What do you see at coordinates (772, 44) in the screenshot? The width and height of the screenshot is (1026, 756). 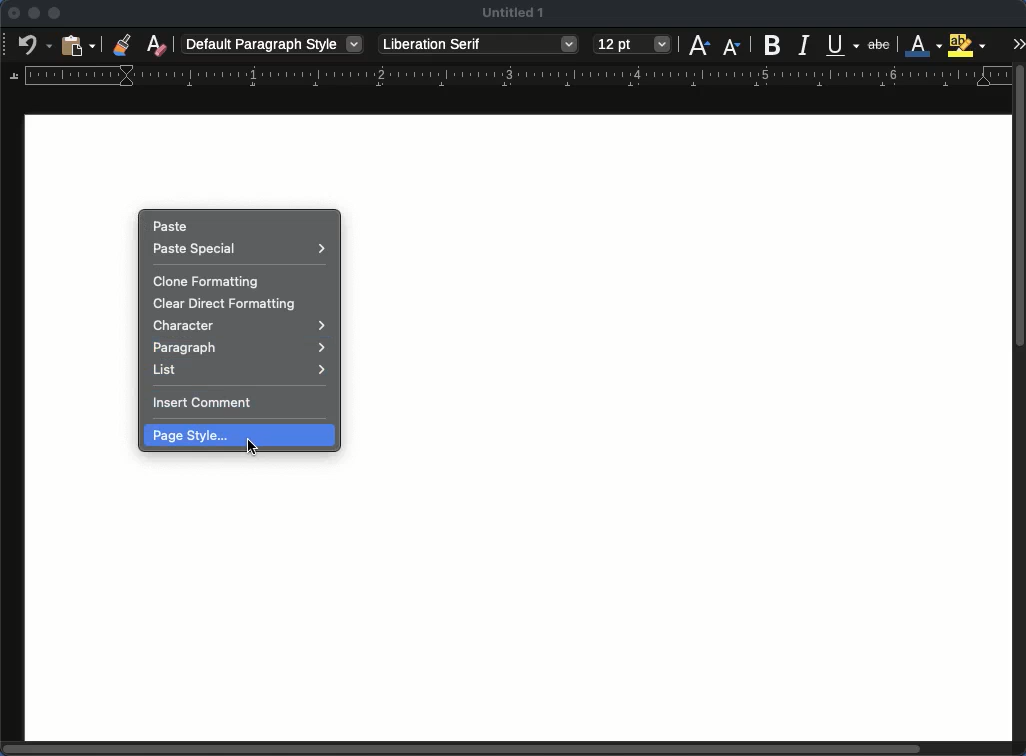 I see `bold` at bounding box center [772, 44].